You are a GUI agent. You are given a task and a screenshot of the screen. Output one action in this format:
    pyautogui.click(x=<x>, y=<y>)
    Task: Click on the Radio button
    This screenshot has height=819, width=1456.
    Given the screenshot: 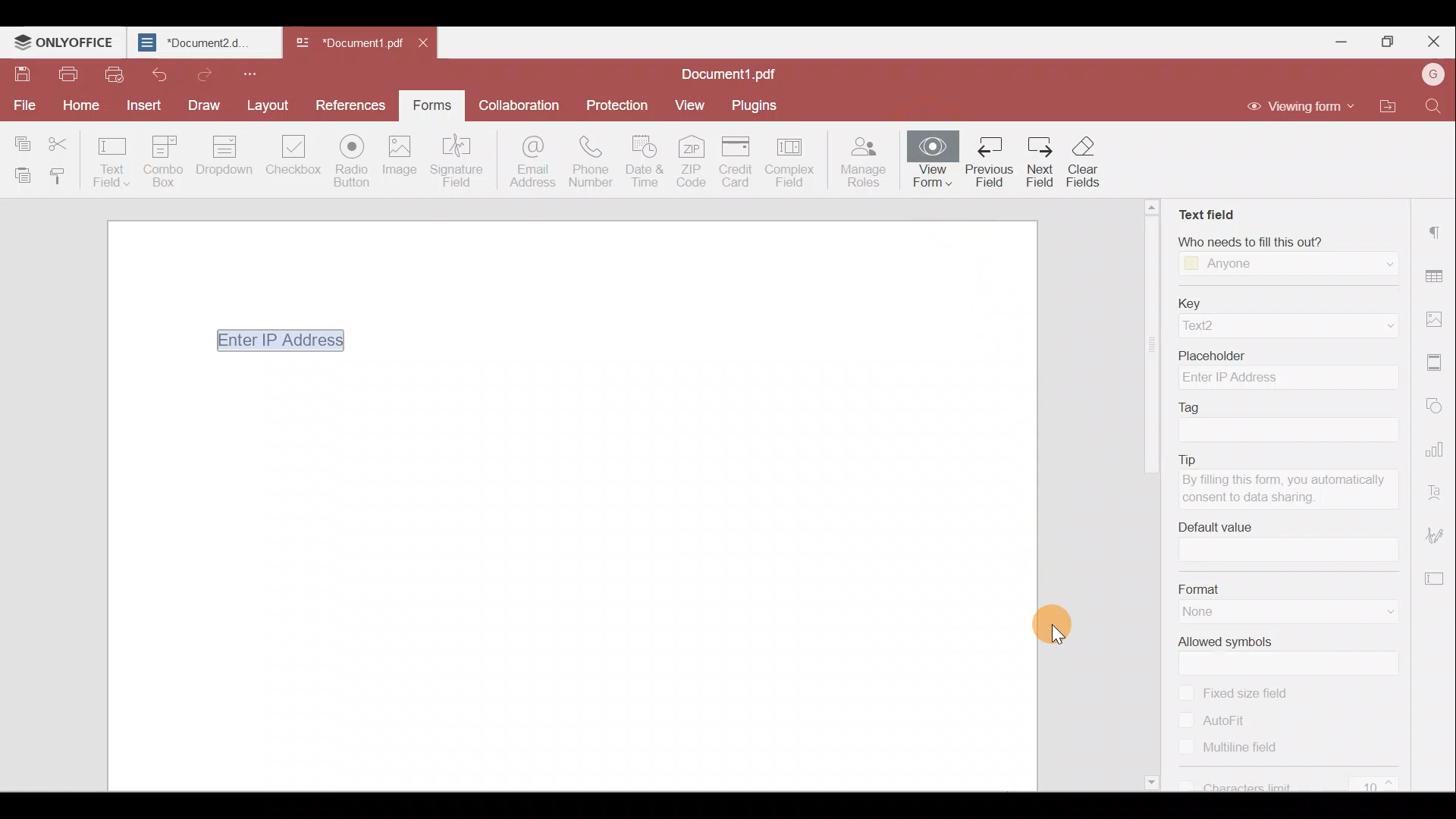 What is the action you would take?
    pyautogui.click(x=355, y=162)
    